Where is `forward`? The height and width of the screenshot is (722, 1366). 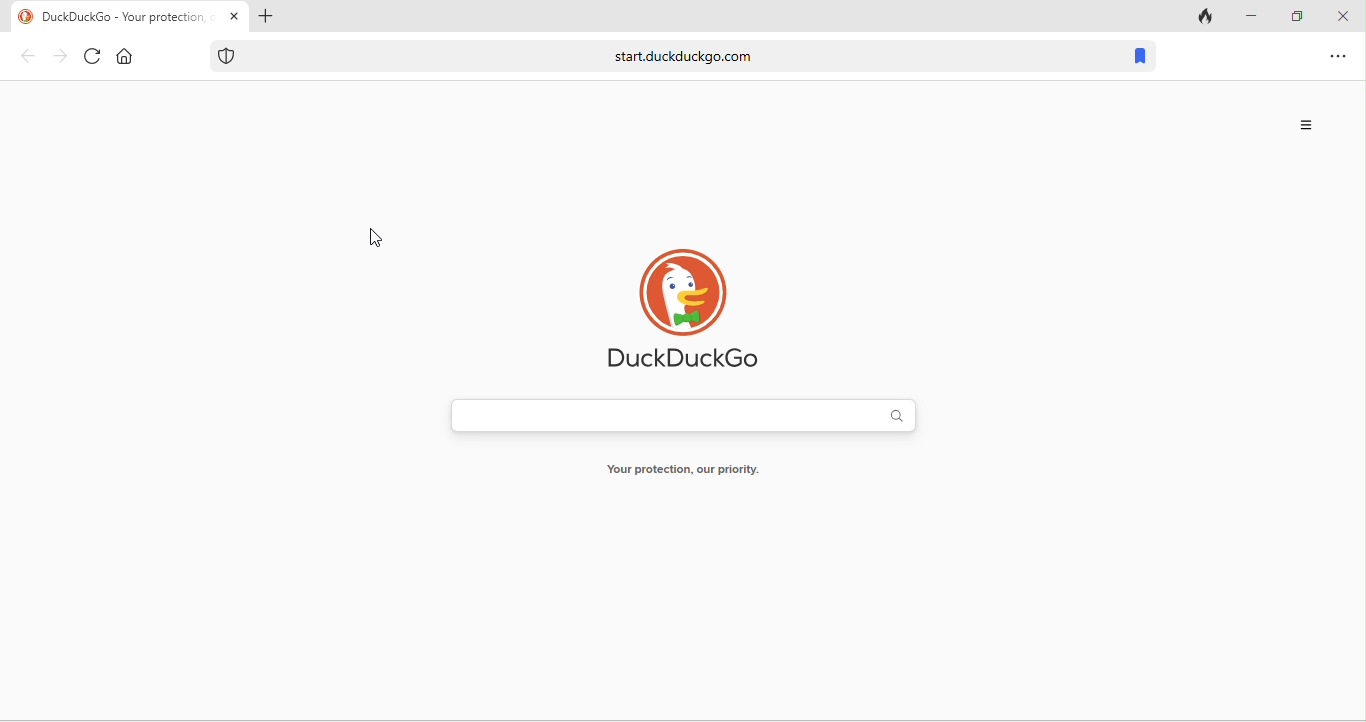
forward is located at coordinates (60, 57).